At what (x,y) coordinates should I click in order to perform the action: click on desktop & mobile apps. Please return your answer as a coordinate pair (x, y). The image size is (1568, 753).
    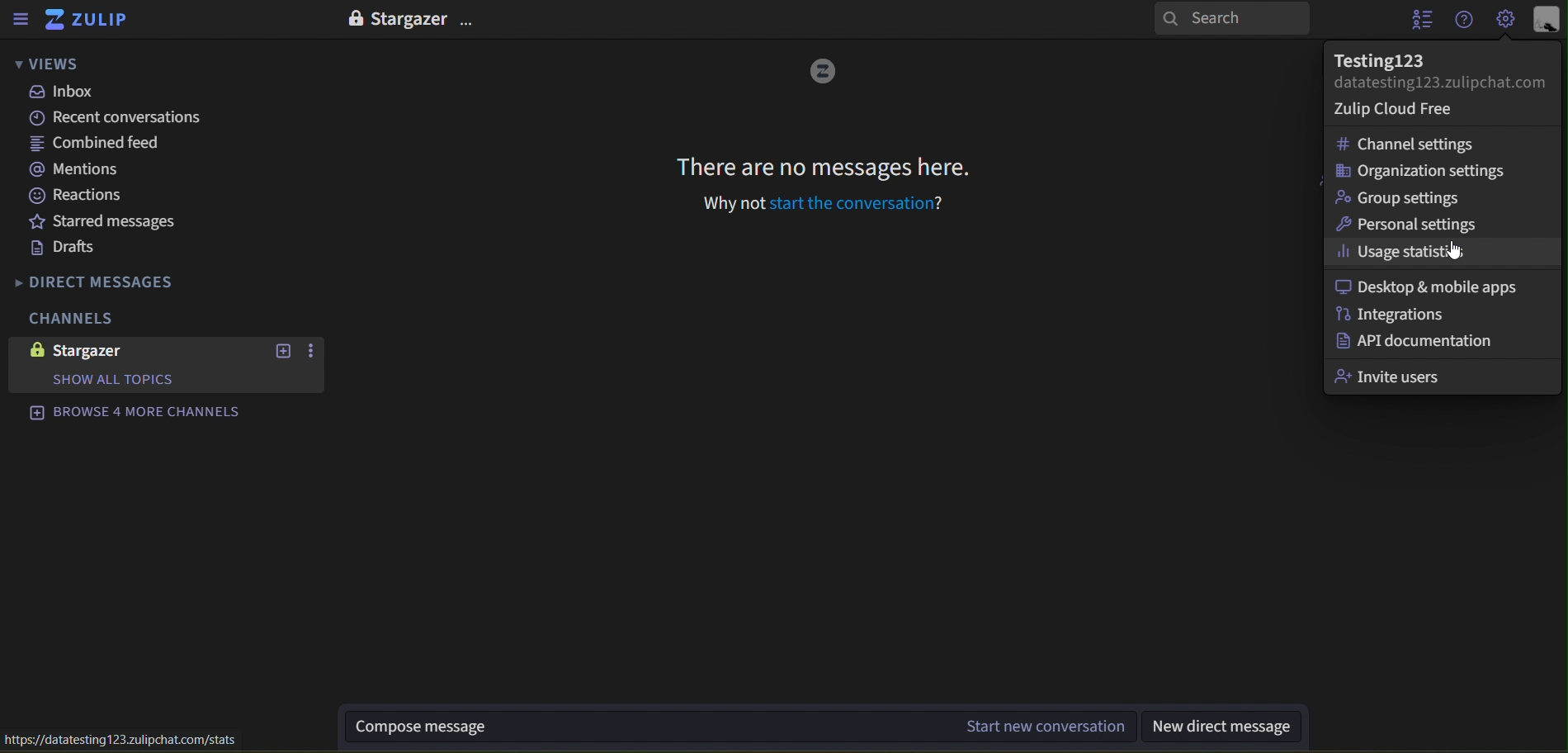
    Looking at the image, I should click on (1425, 287).